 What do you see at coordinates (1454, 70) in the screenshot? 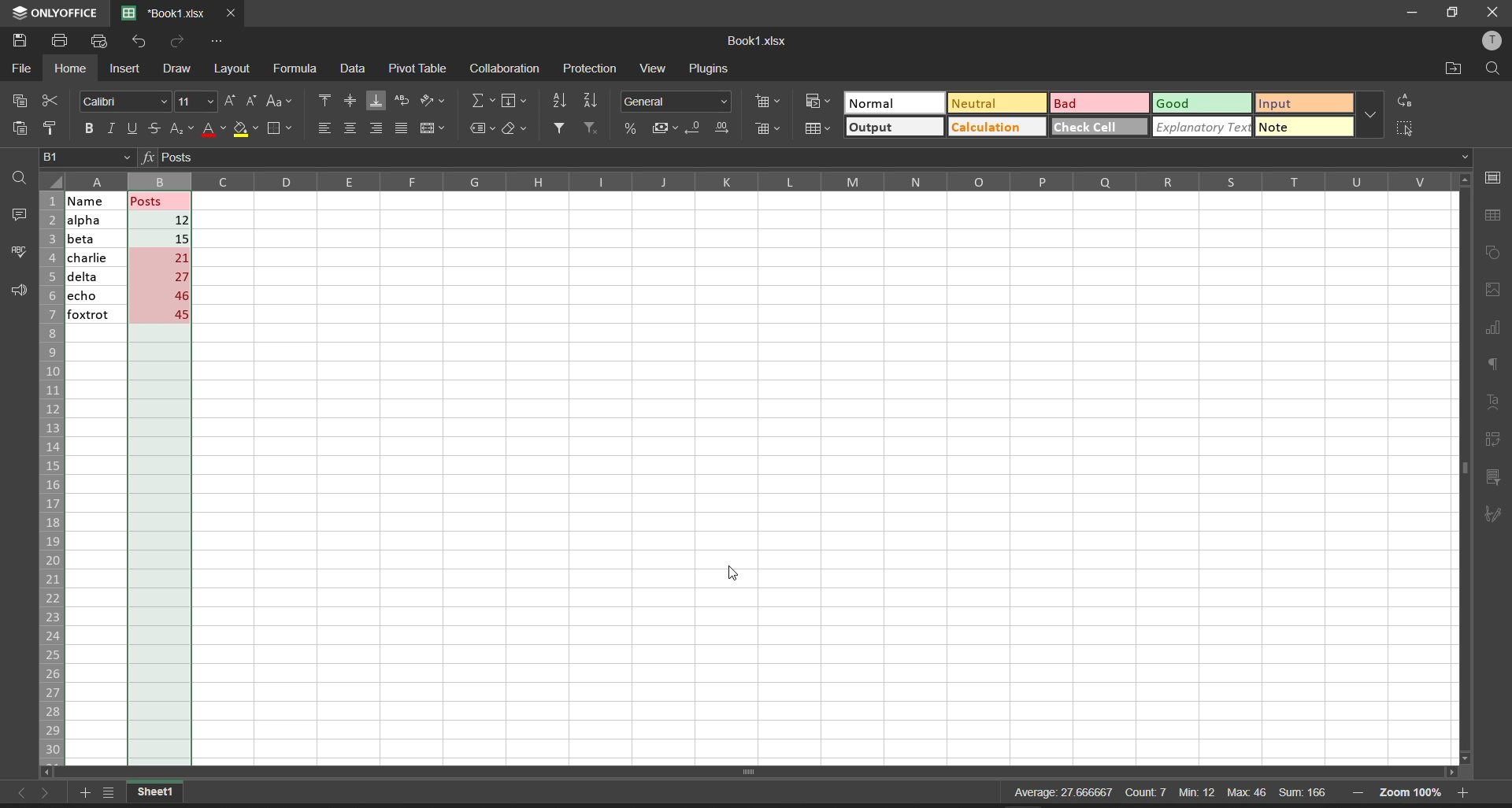
I see `open file location` at bounding box center [1454, 70].